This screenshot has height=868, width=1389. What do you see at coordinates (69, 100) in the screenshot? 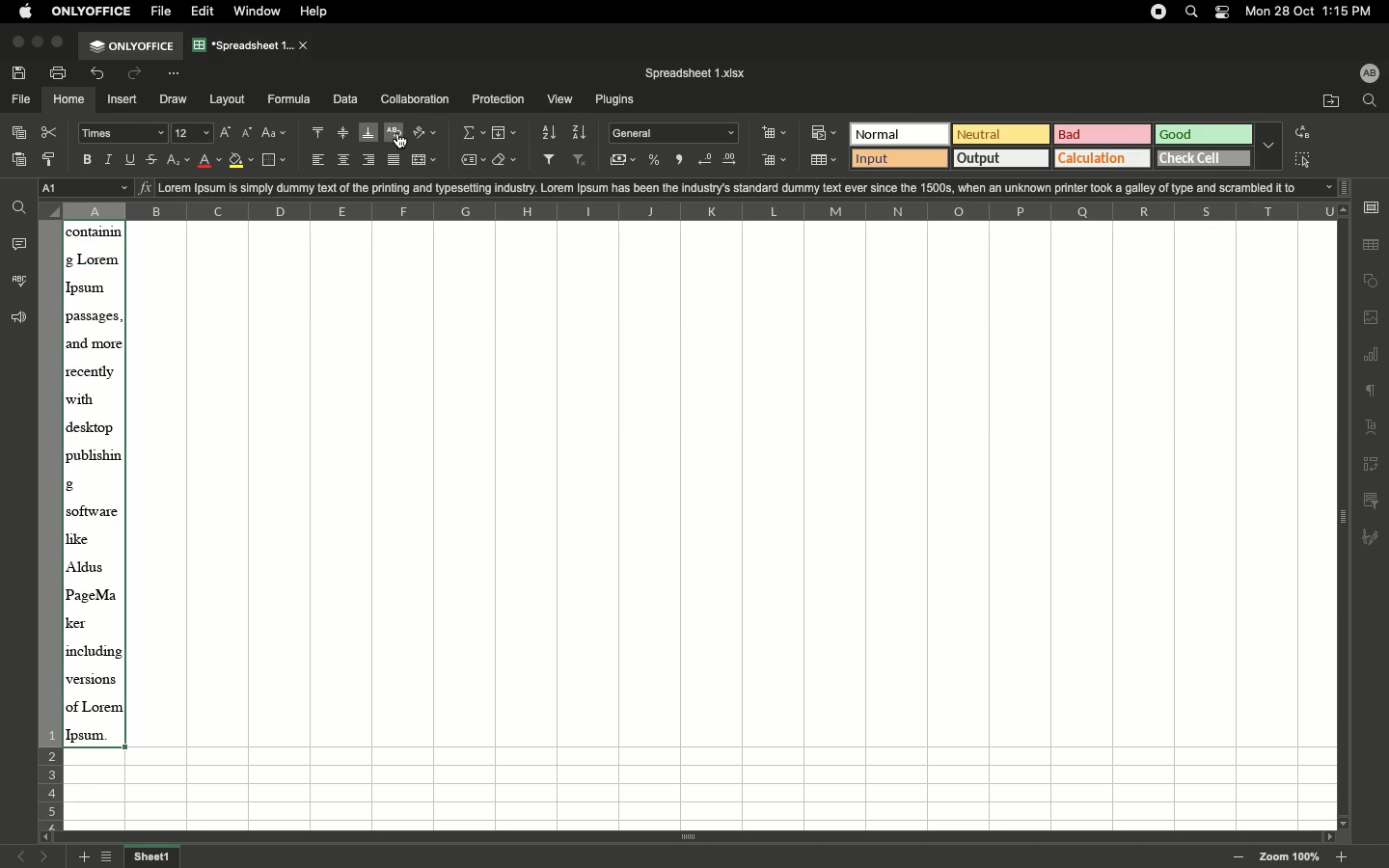
I see `Home` at bounding box center [69, 100].